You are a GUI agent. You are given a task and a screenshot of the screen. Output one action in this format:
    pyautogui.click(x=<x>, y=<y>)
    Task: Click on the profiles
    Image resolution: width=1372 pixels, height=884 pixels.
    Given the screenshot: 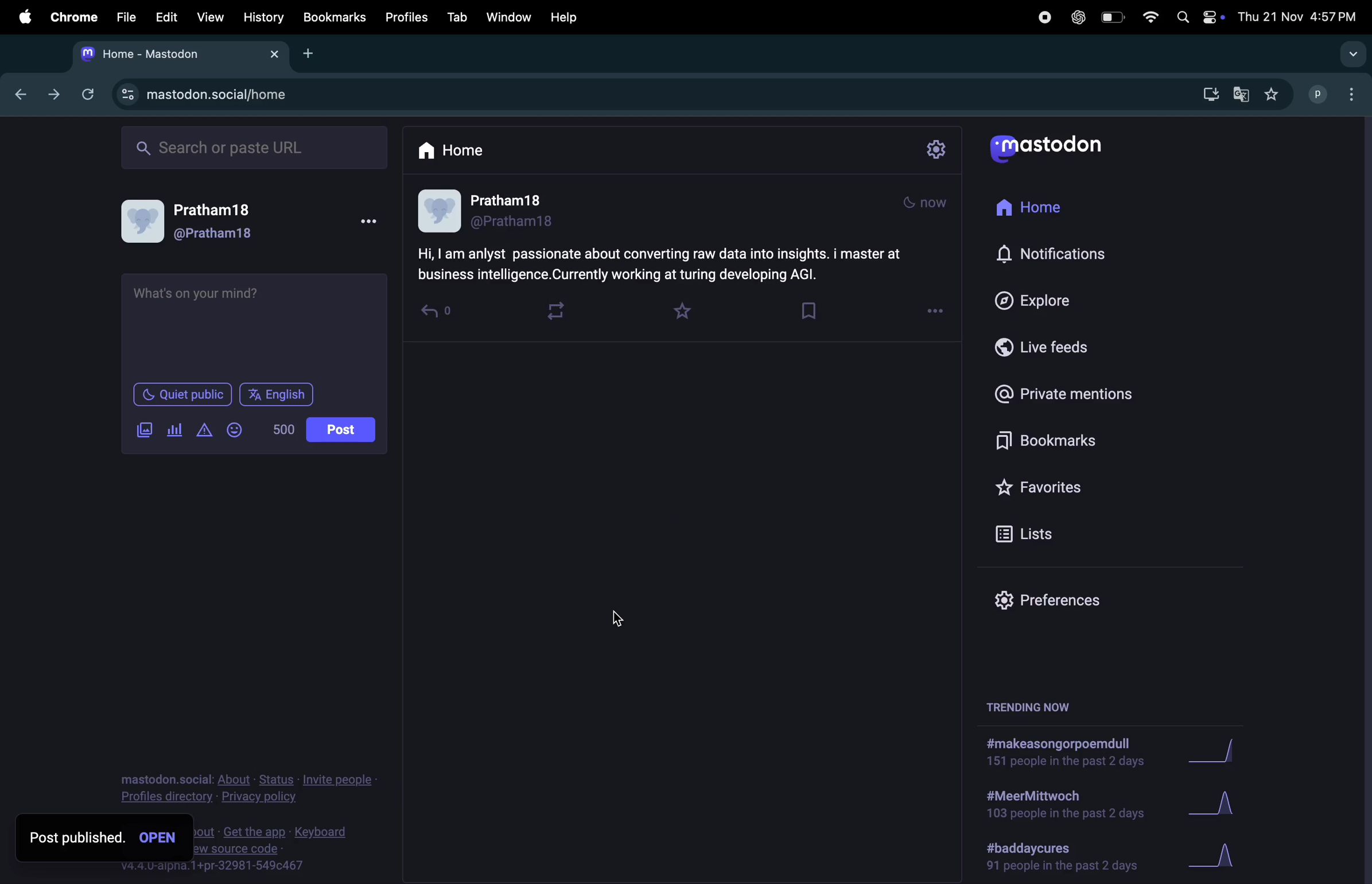 What is the action you would take?
    pyautogui.click(x=404, y=17)
    